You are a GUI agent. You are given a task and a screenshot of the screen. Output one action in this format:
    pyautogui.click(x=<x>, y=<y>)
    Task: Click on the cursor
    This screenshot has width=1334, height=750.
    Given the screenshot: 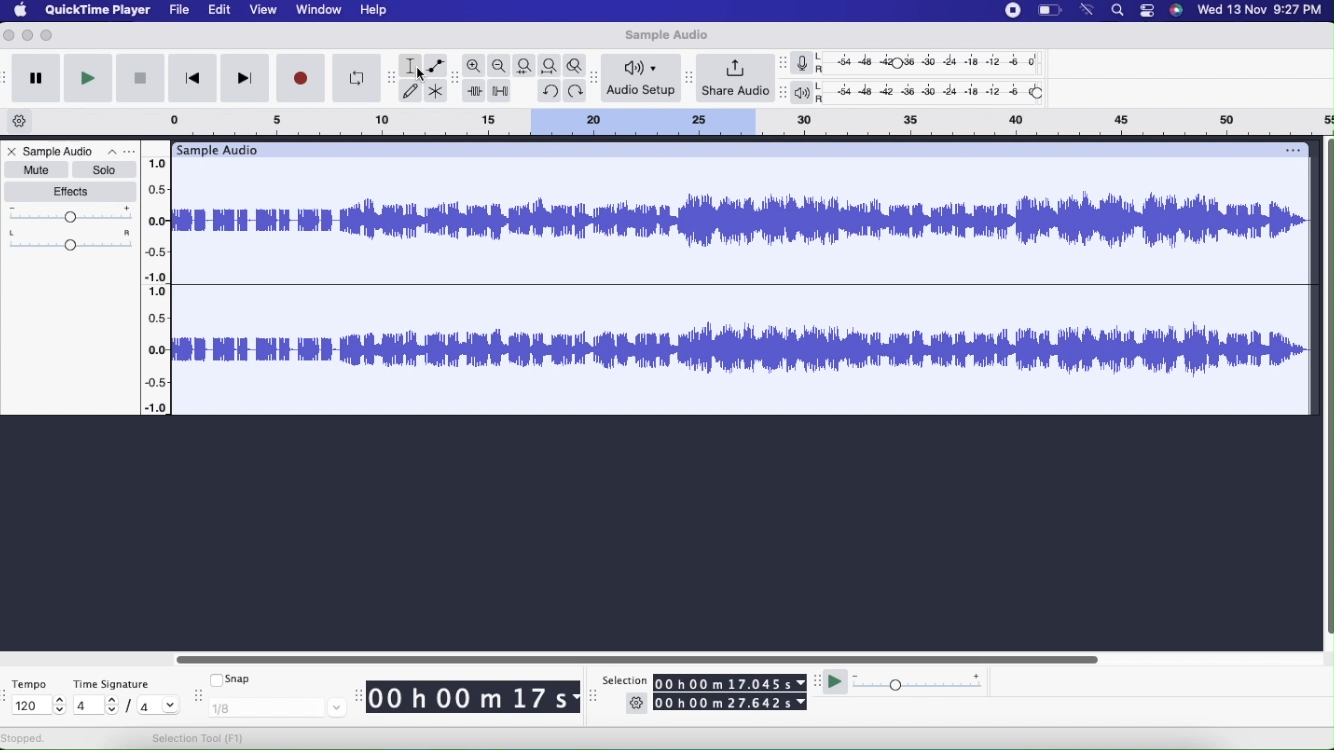 What is the action you would take?
    pyautogui.click(x=423, y=75)
    